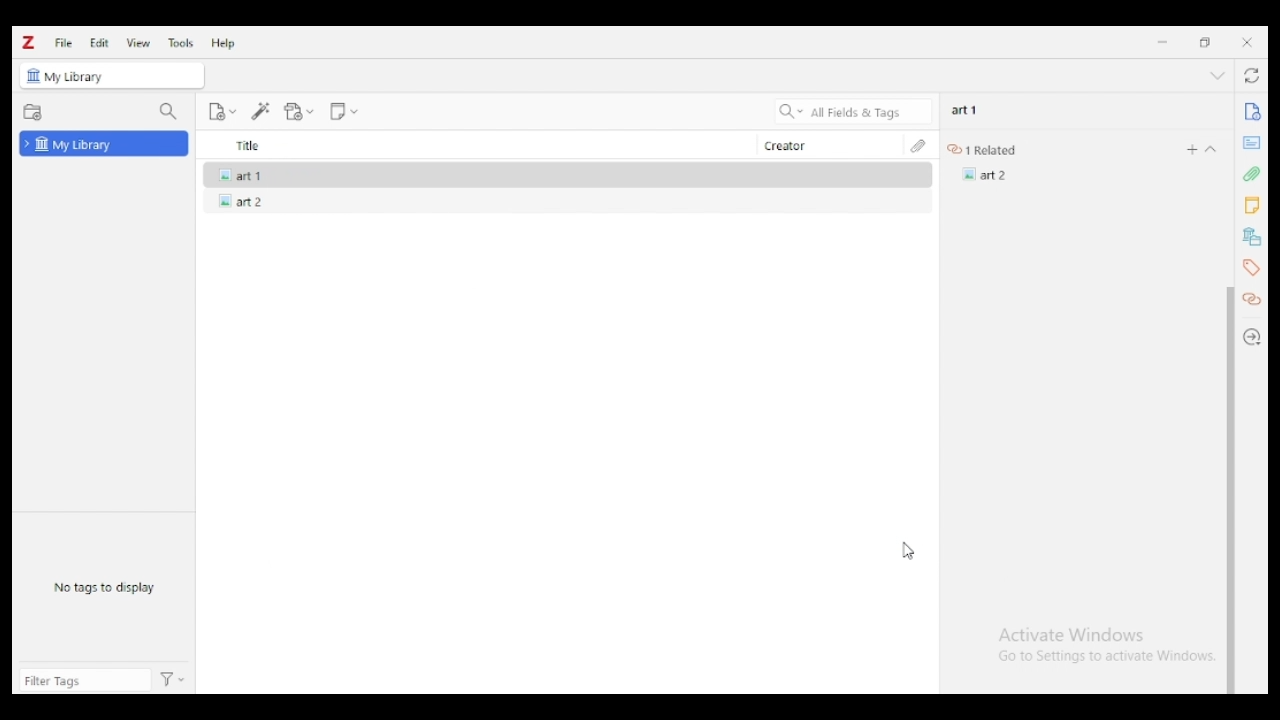 This screenshot has height=720, width=1280. What do you see at coordinates (1250, 237) in the screenshot?
I see `libraries and collections` at bounding box center [1250, 237].